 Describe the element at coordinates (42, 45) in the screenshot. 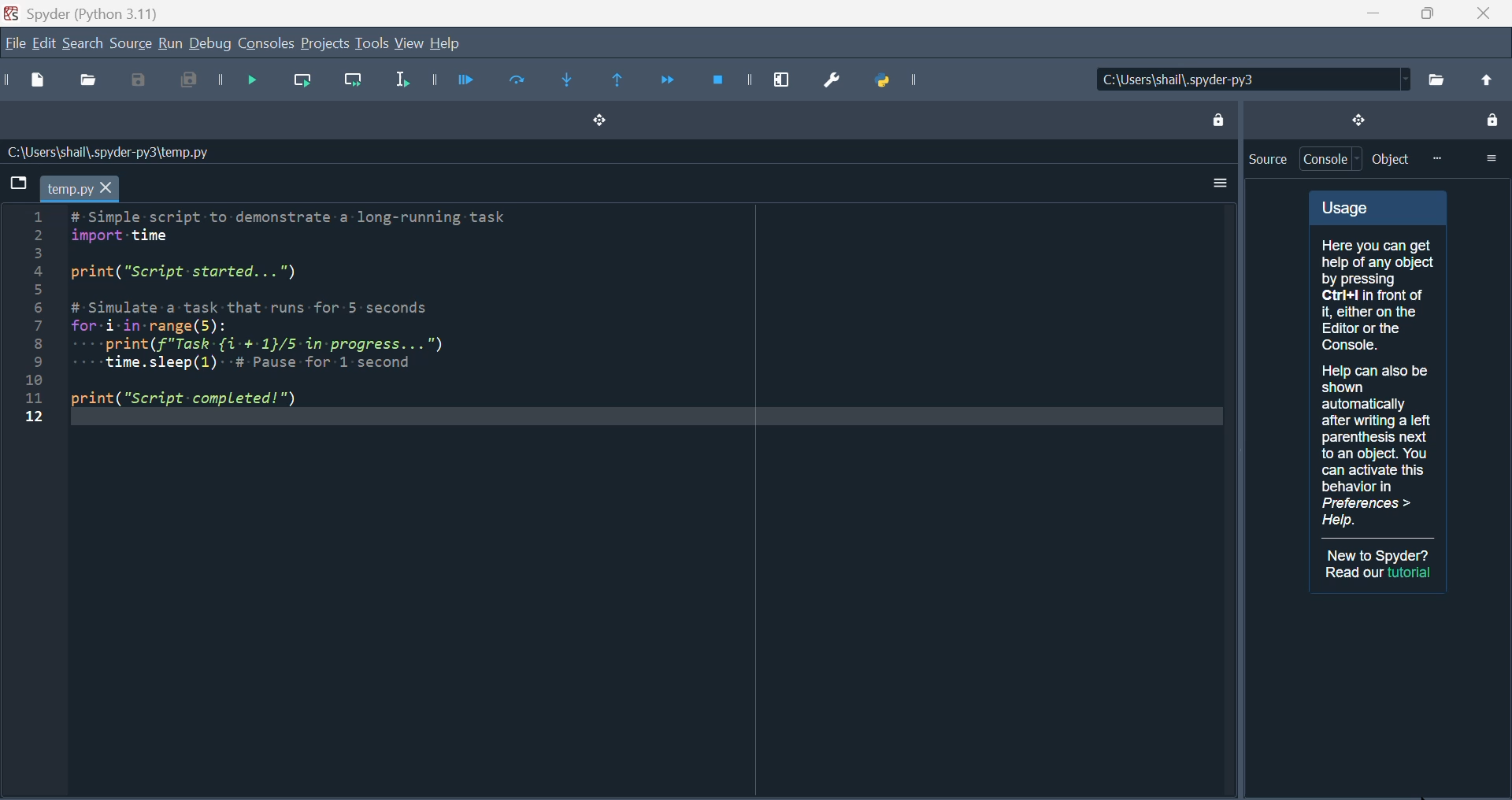

I see `Edit` at that location.